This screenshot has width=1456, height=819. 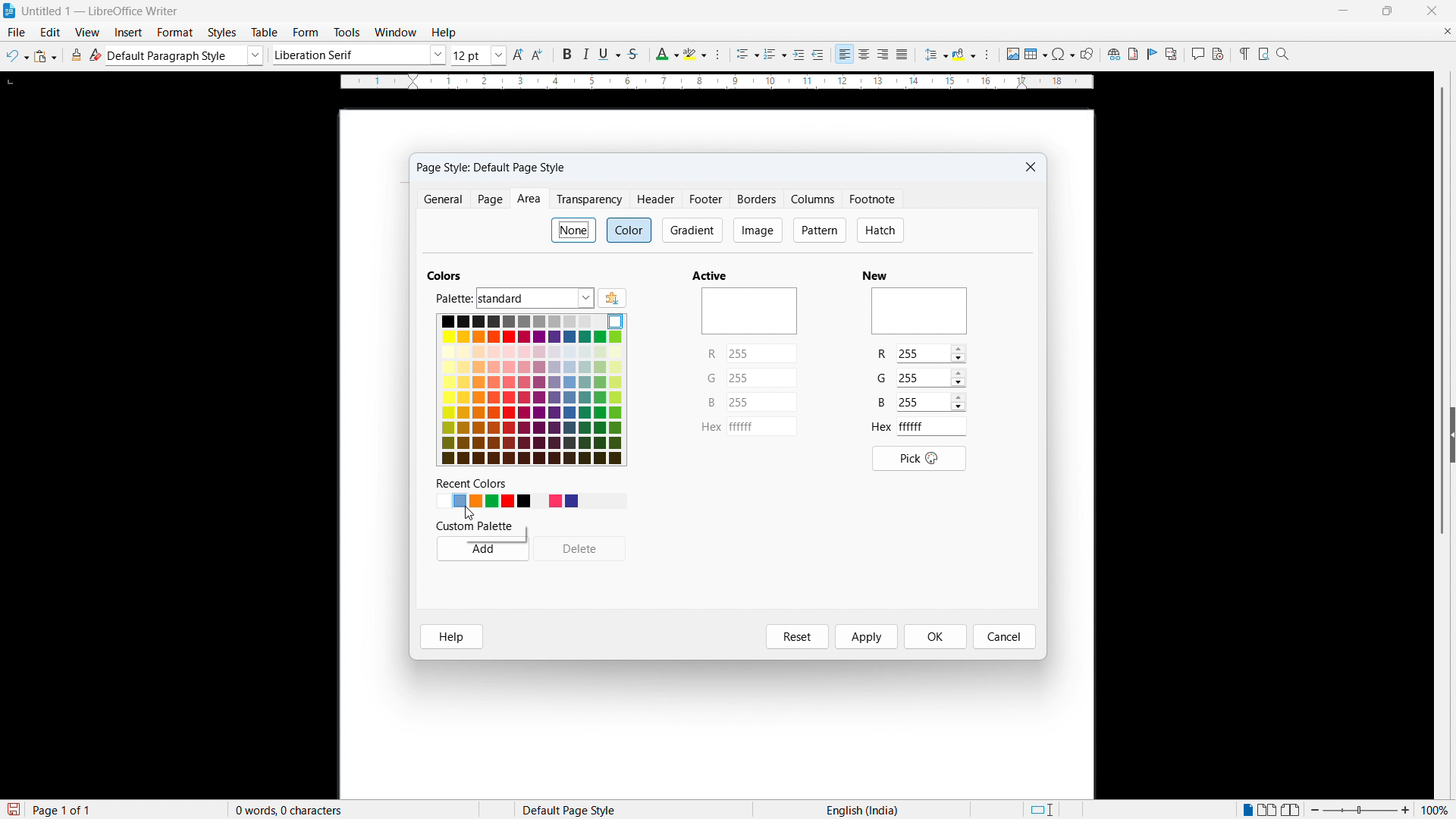 What do you see at coordinates (696, 54) in the screenshot?
I see `Character highlighting colour ` at bounding box center [696, 54].